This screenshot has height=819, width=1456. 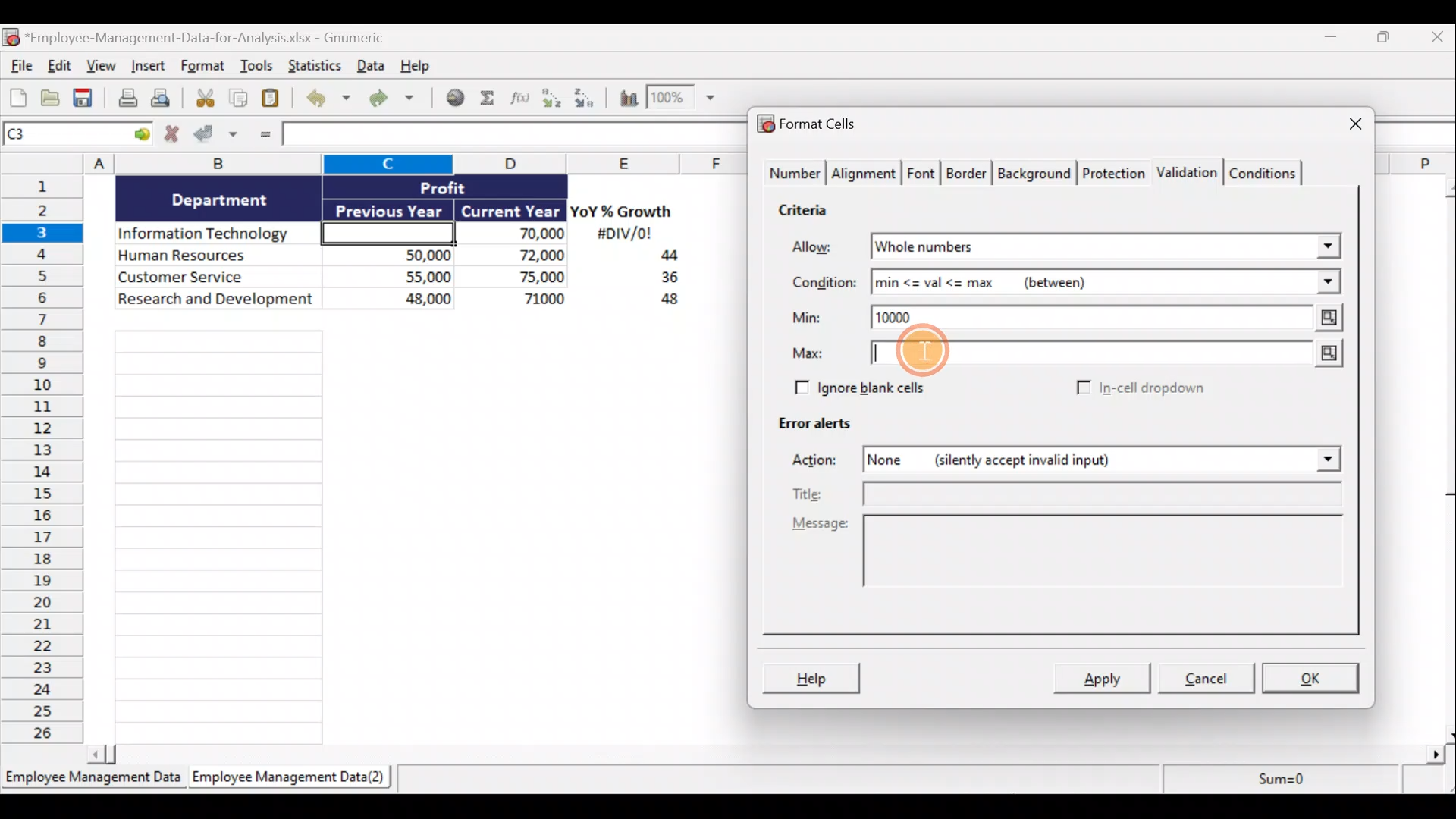 I want to click on Insert, so click(x=151, y=69).